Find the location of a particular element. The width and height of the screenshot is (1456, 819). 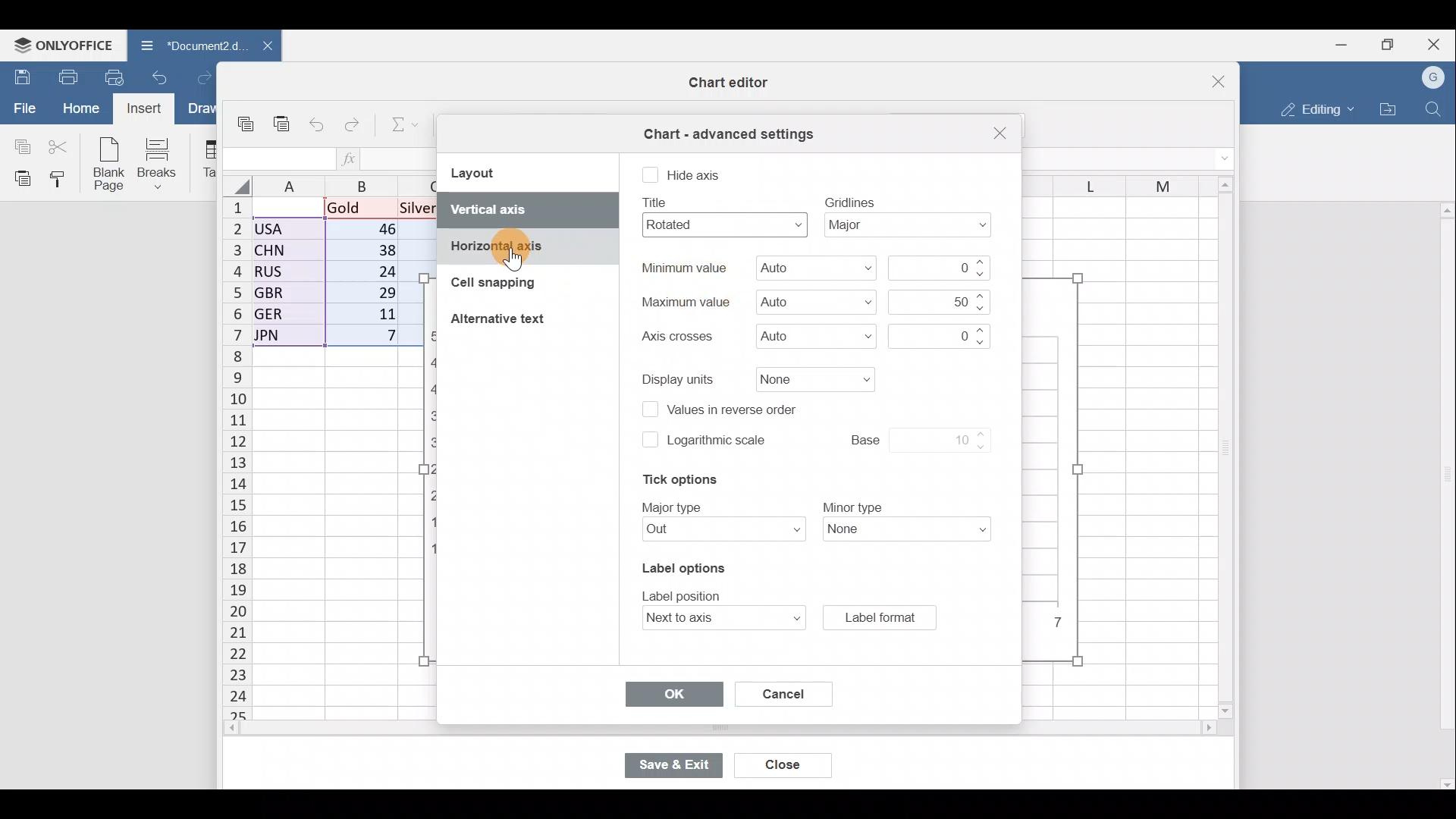

Close is located at coordinates (1209, 76).